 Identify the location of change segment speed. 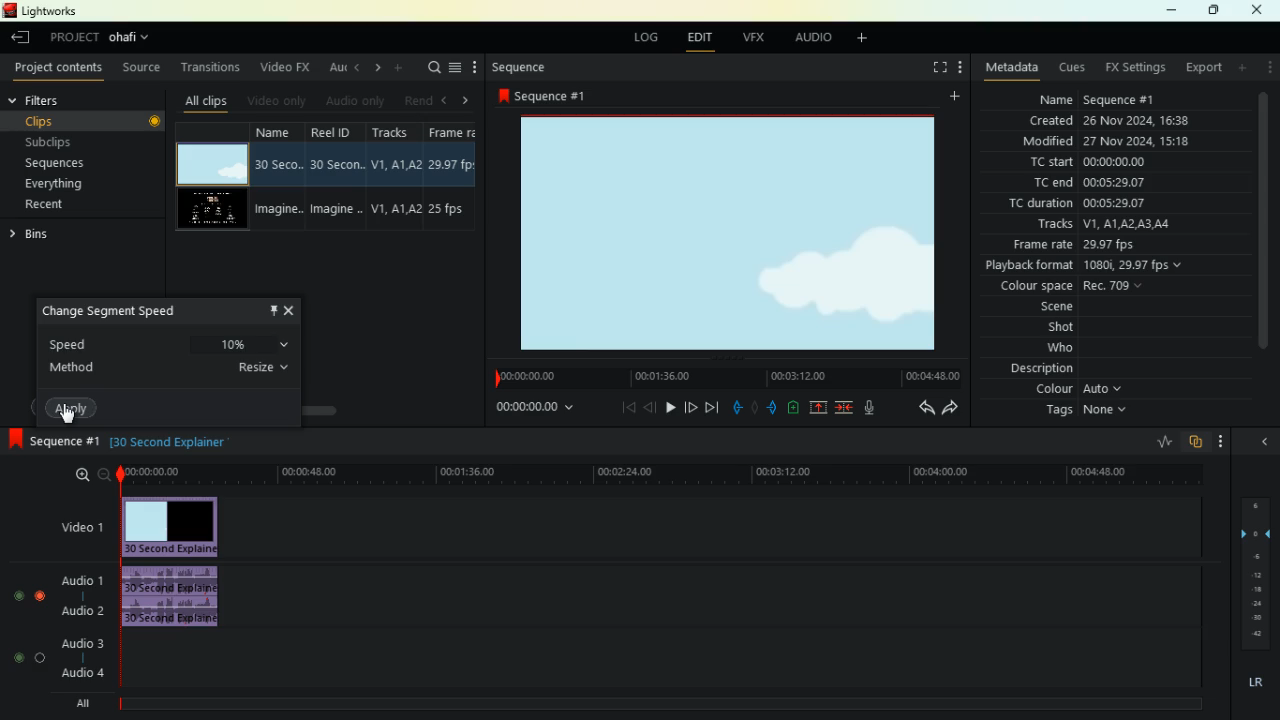
(123, 311).